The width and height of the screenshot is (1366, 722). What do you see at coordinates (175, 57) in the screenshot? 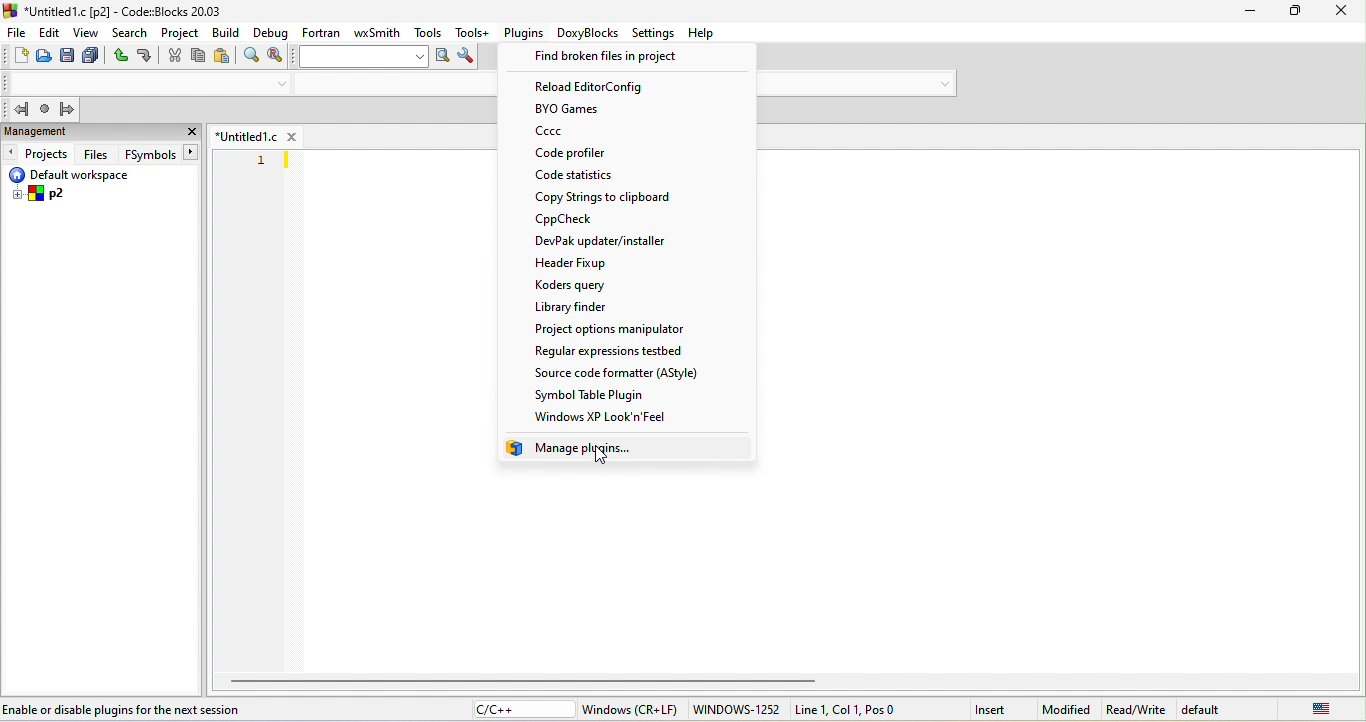
I see `cut` at bounding box center [175, 57].